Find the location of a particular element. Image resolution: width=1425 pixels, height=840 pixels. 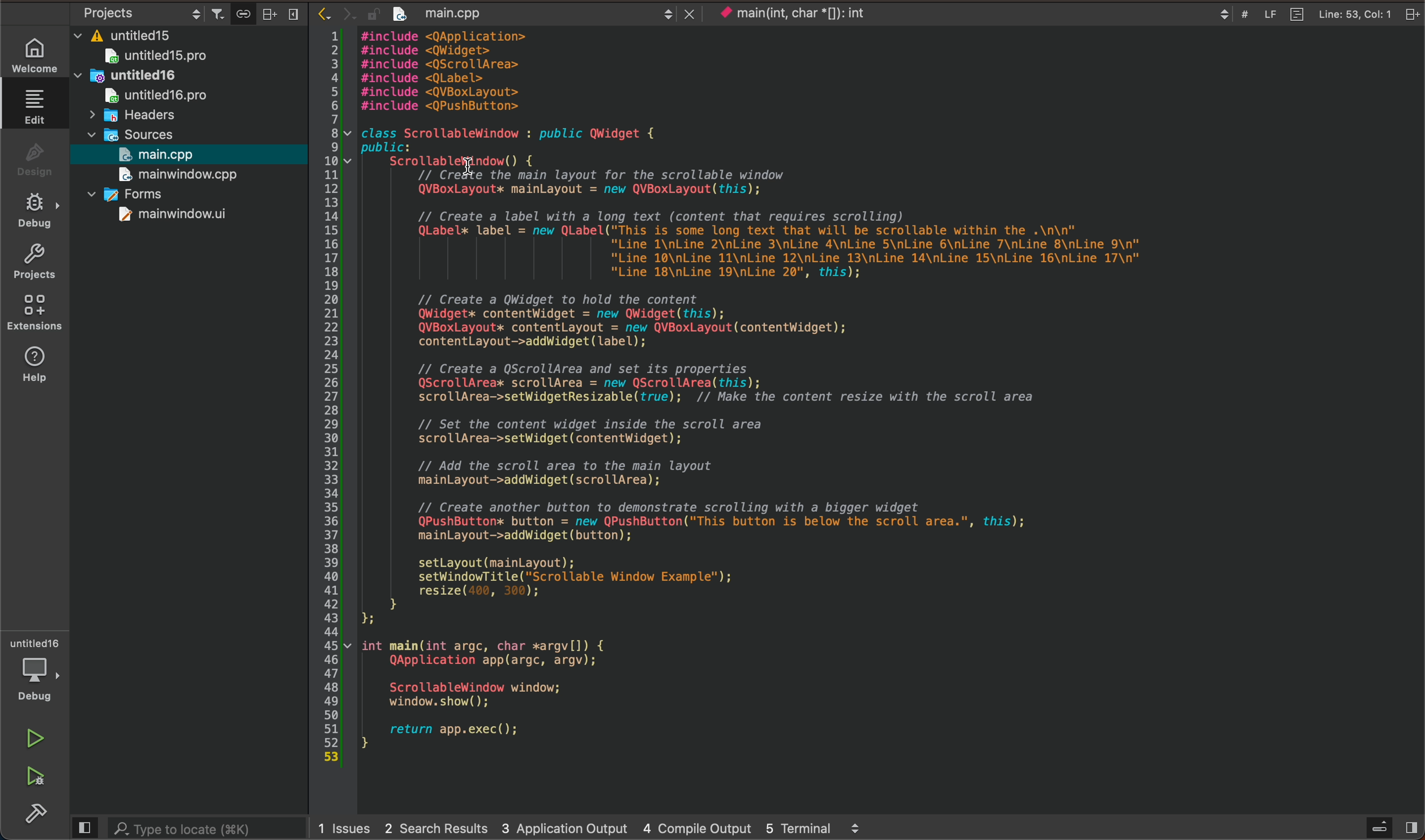

sources is located at coordinates (140, 133).